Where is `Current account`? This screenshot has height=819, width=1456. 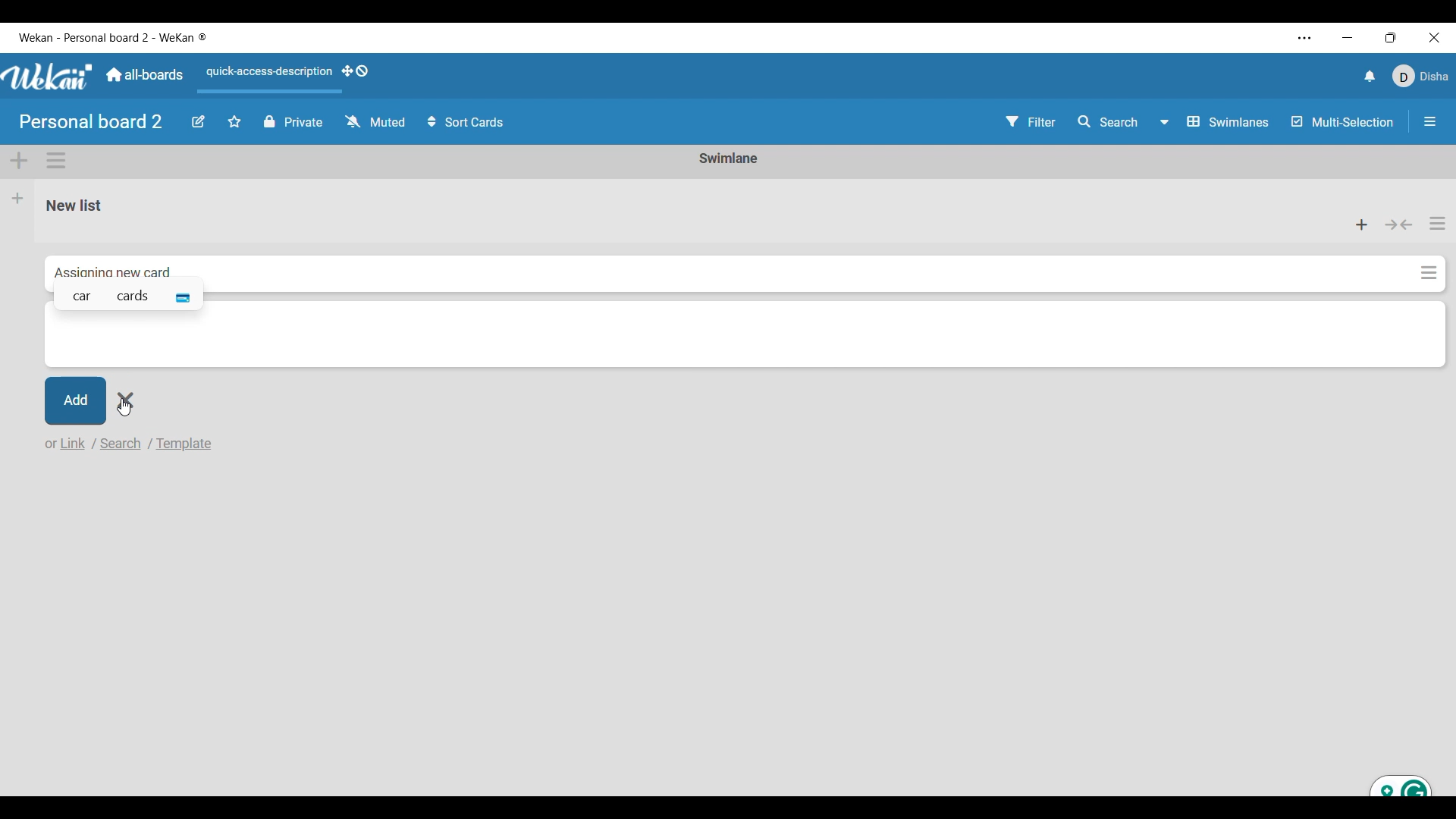
Current account is located at coordinates (1421, 76).